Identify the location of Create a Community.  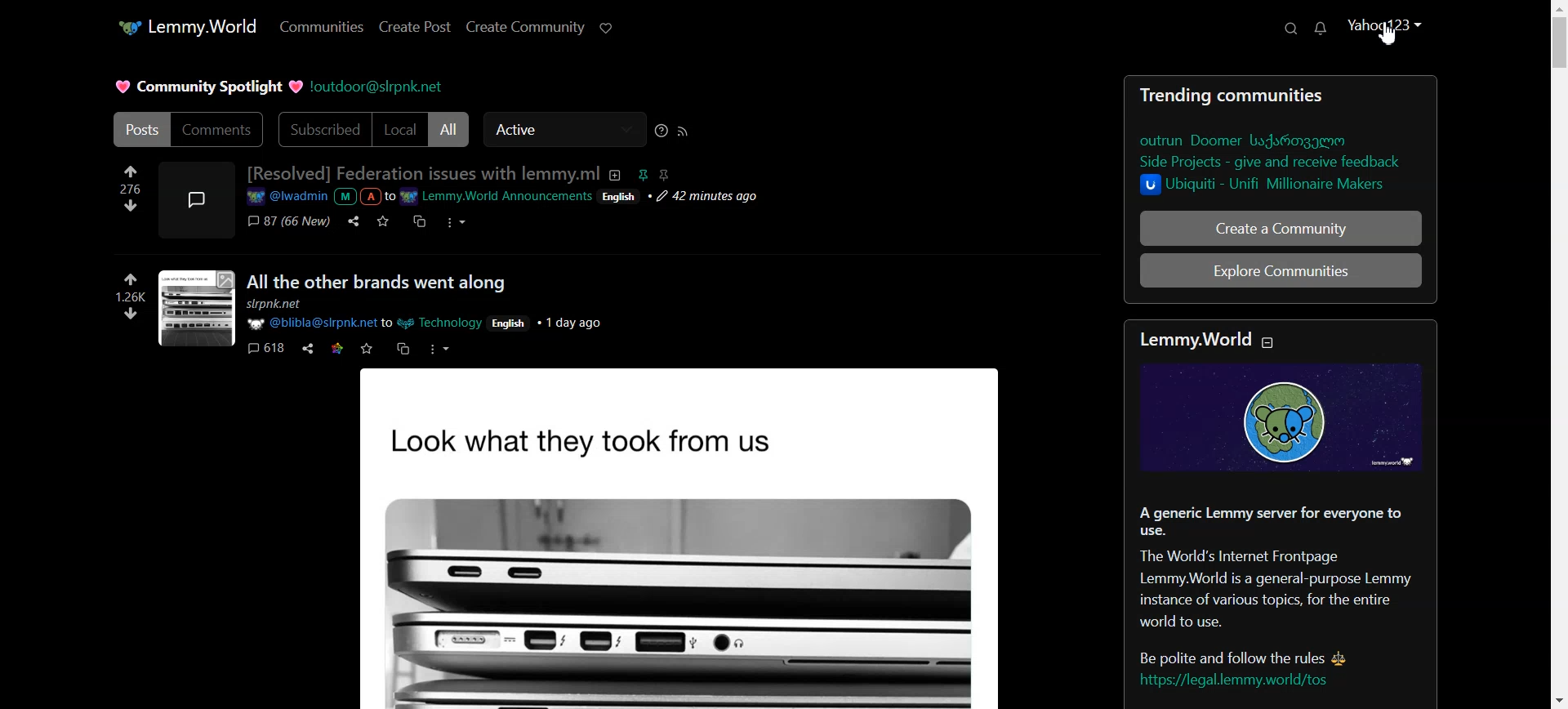
(1281, 228).